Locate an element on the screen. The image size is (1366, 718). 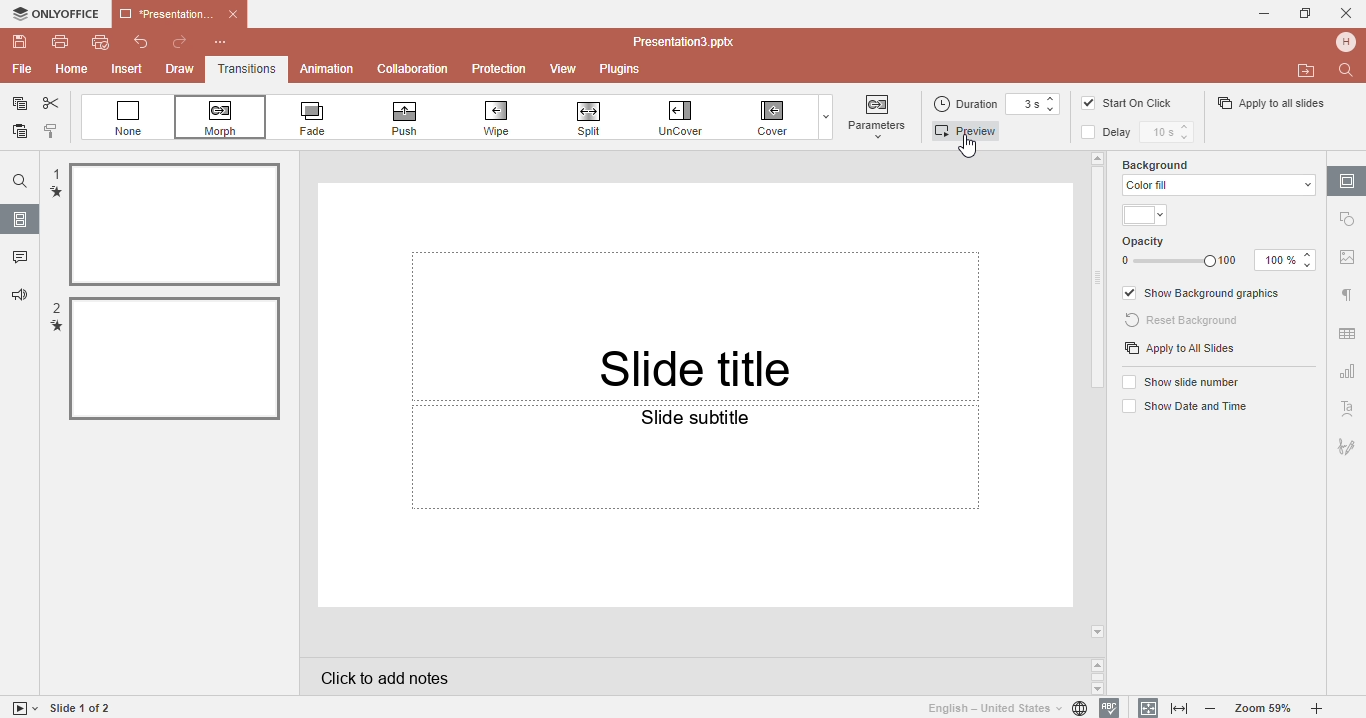
None is located at coordinates (129, 118).